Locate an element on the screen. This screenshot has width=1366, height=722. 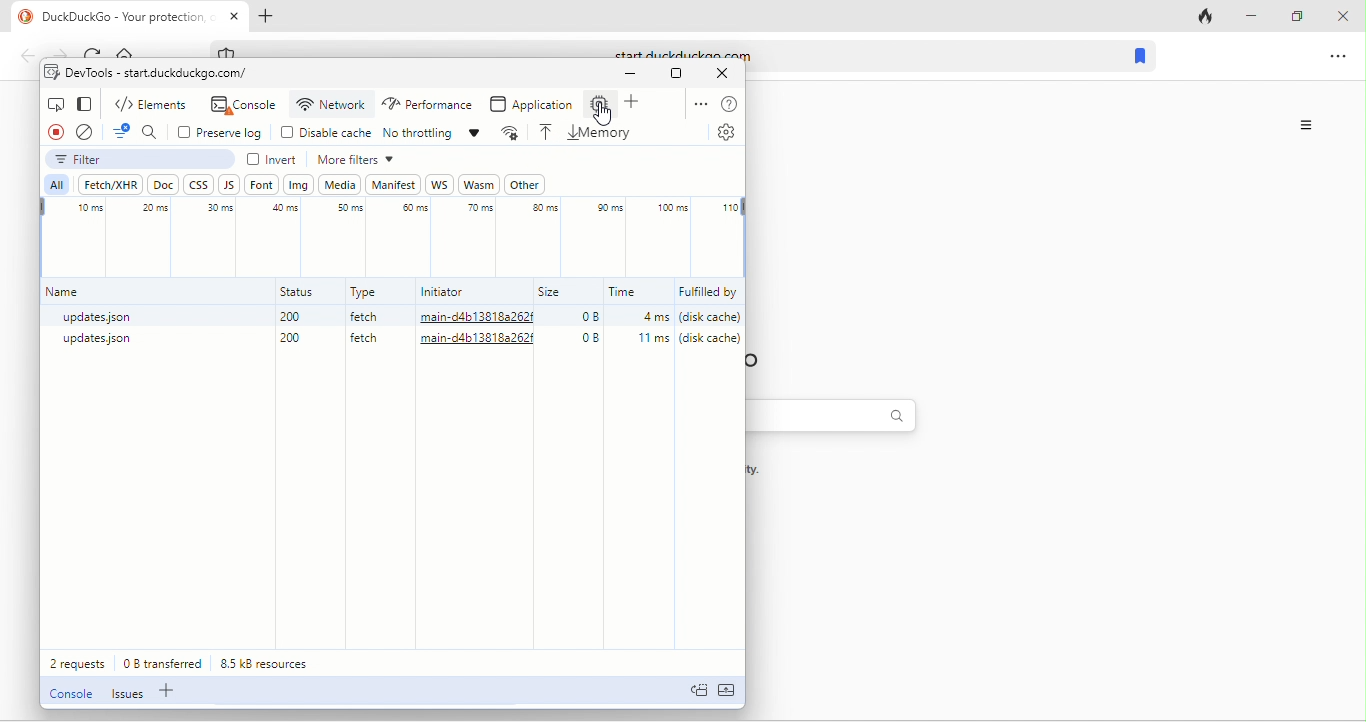
updates.json is located at coordinates (99, 319).